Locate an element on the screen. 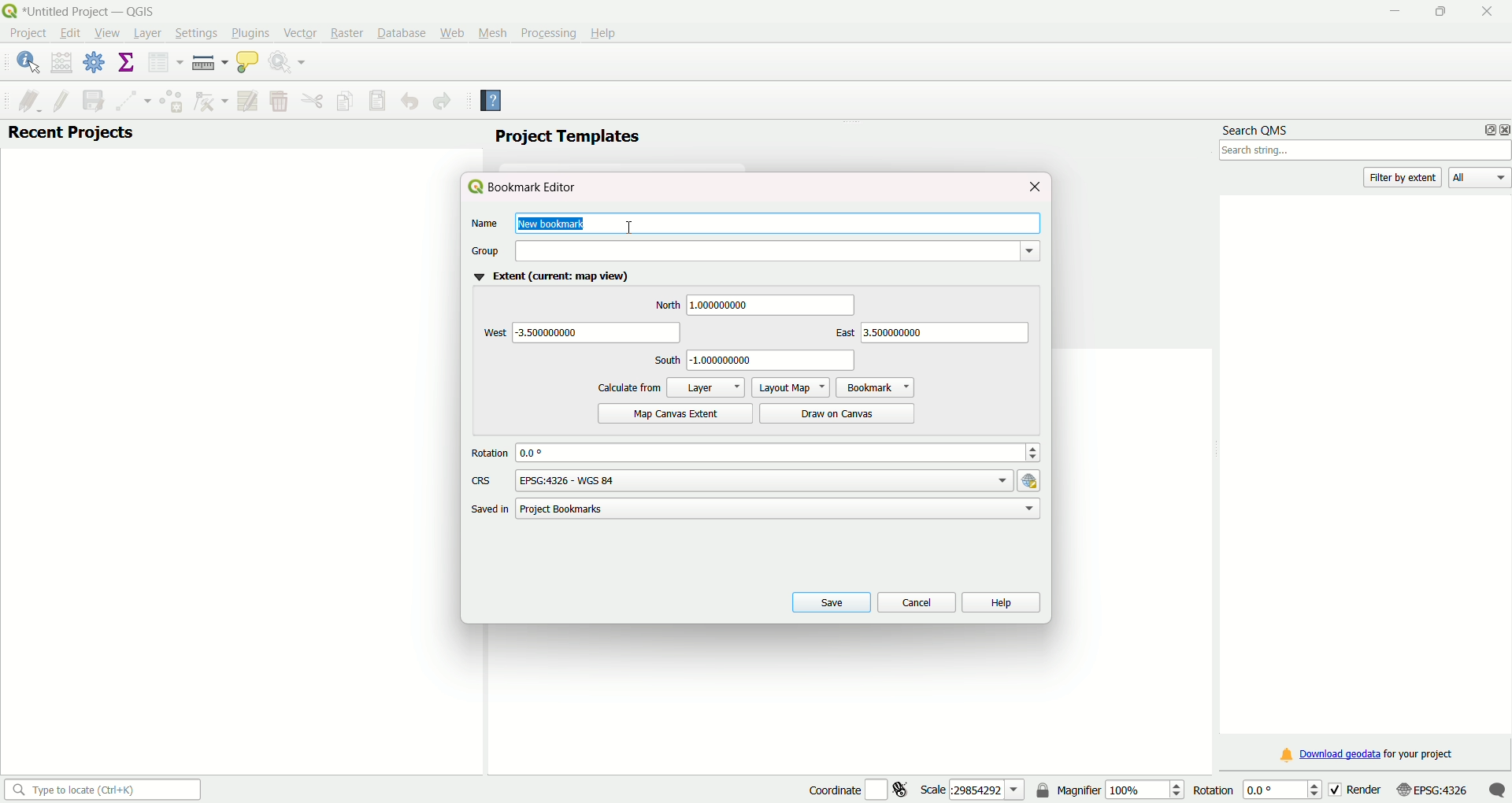 Image resolution: width=1512 pixels, height=803 pixels. project templates is located at coordinates (566, 138).